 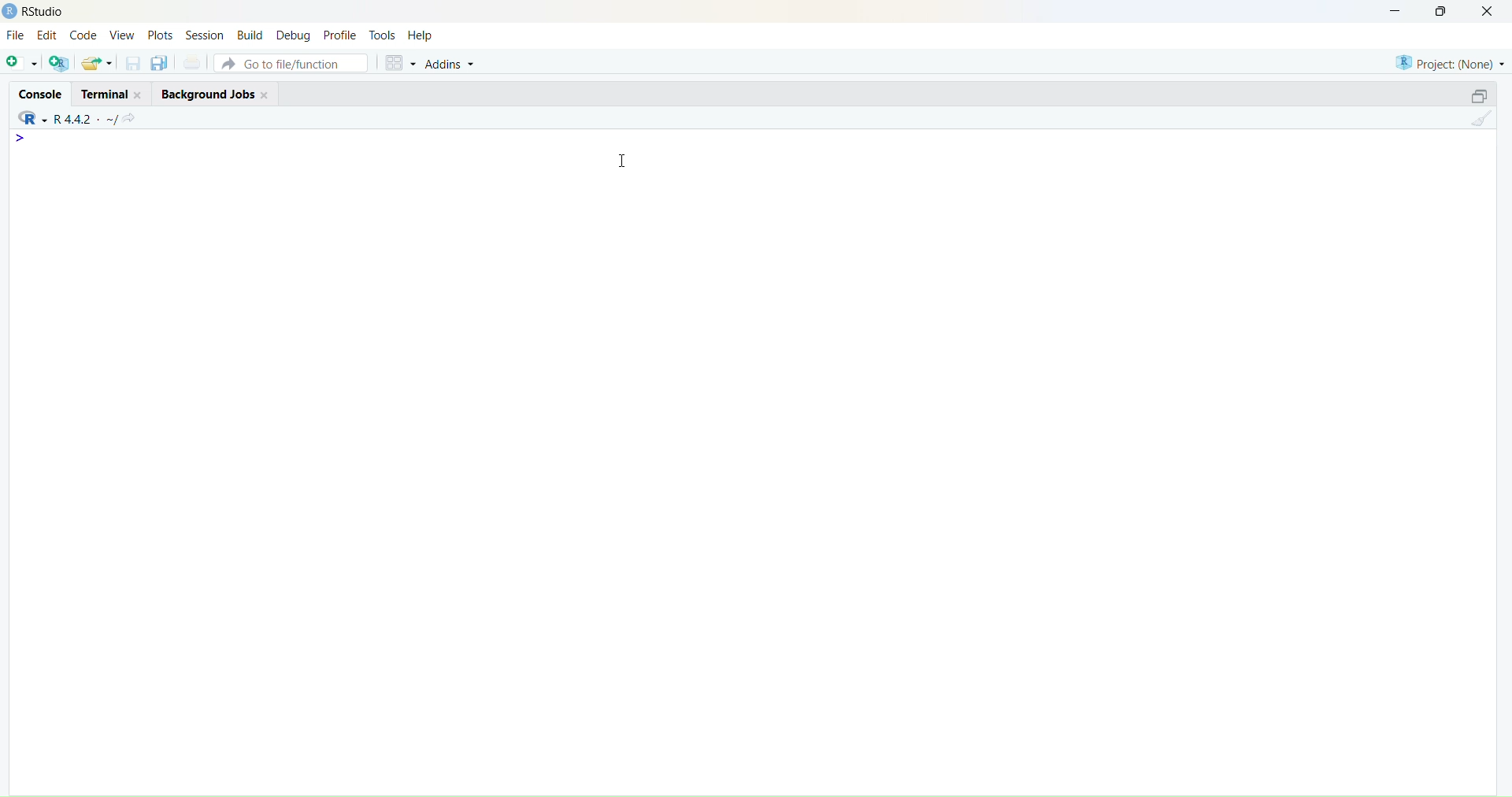 I want to click on Project (None), so click(x=1450, y=65).